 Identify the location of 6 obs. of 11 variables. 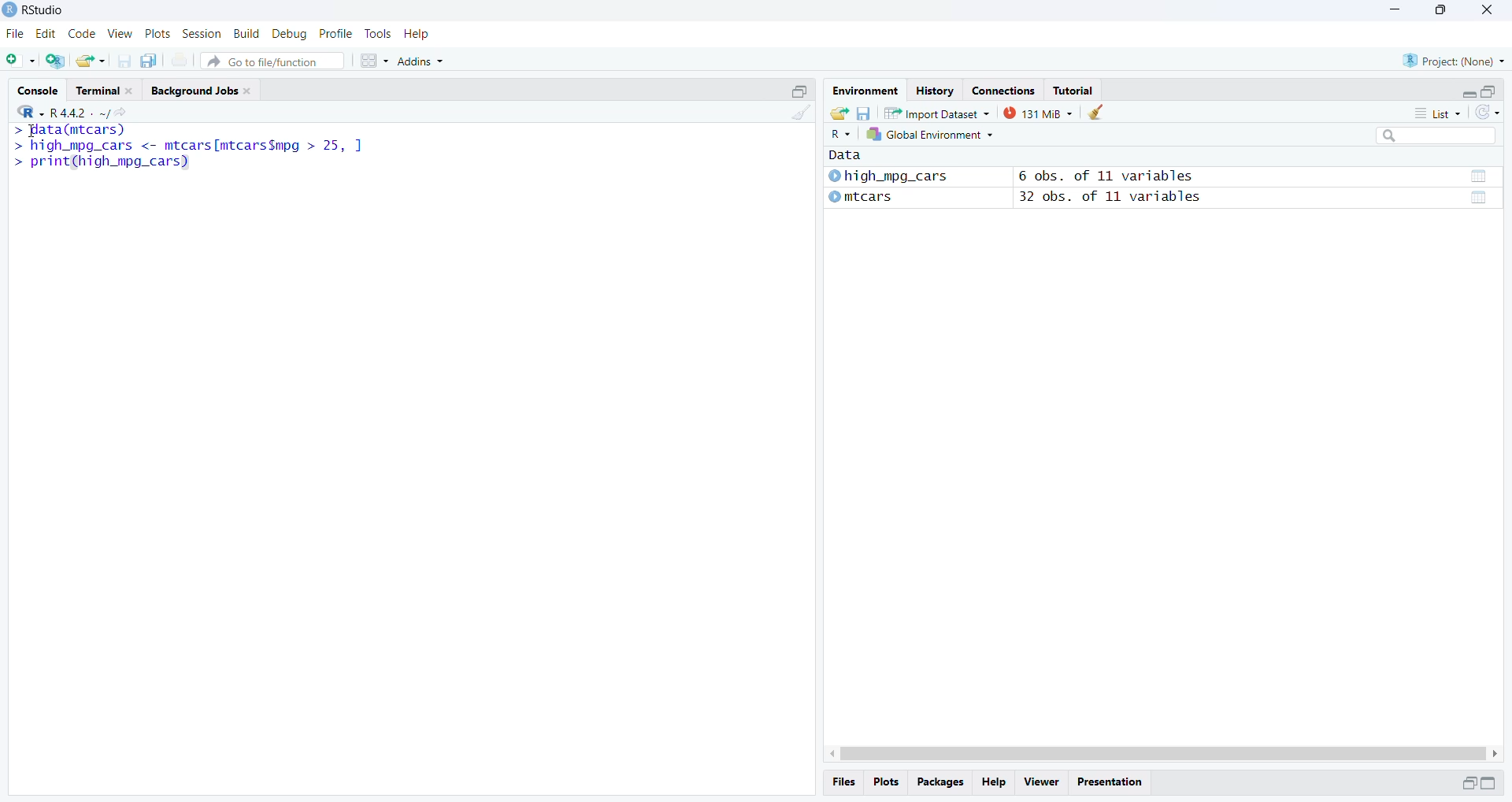
(1106, 176).